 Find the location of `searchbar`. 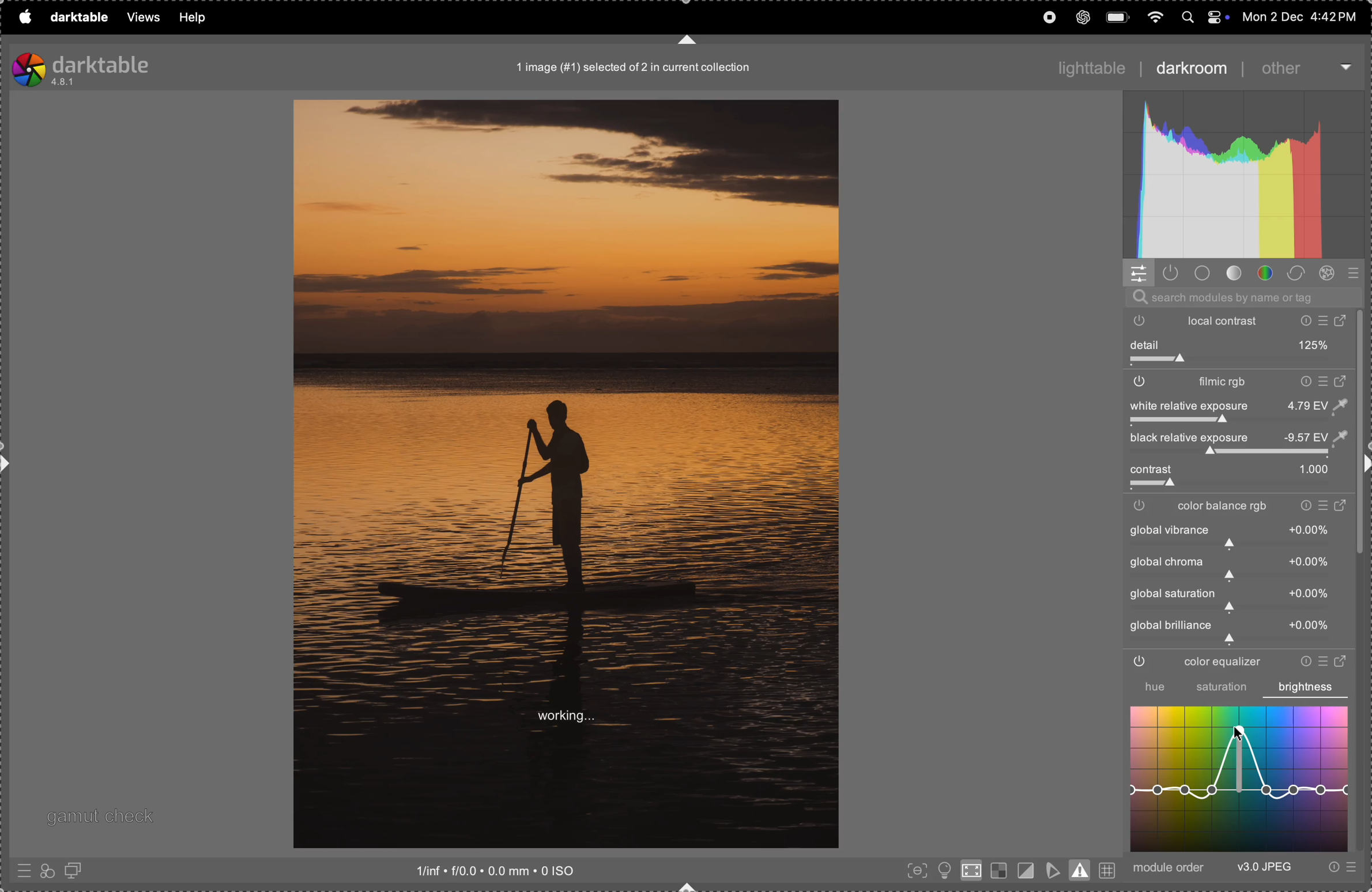

searchbar is located at coordinates (1241, 297).